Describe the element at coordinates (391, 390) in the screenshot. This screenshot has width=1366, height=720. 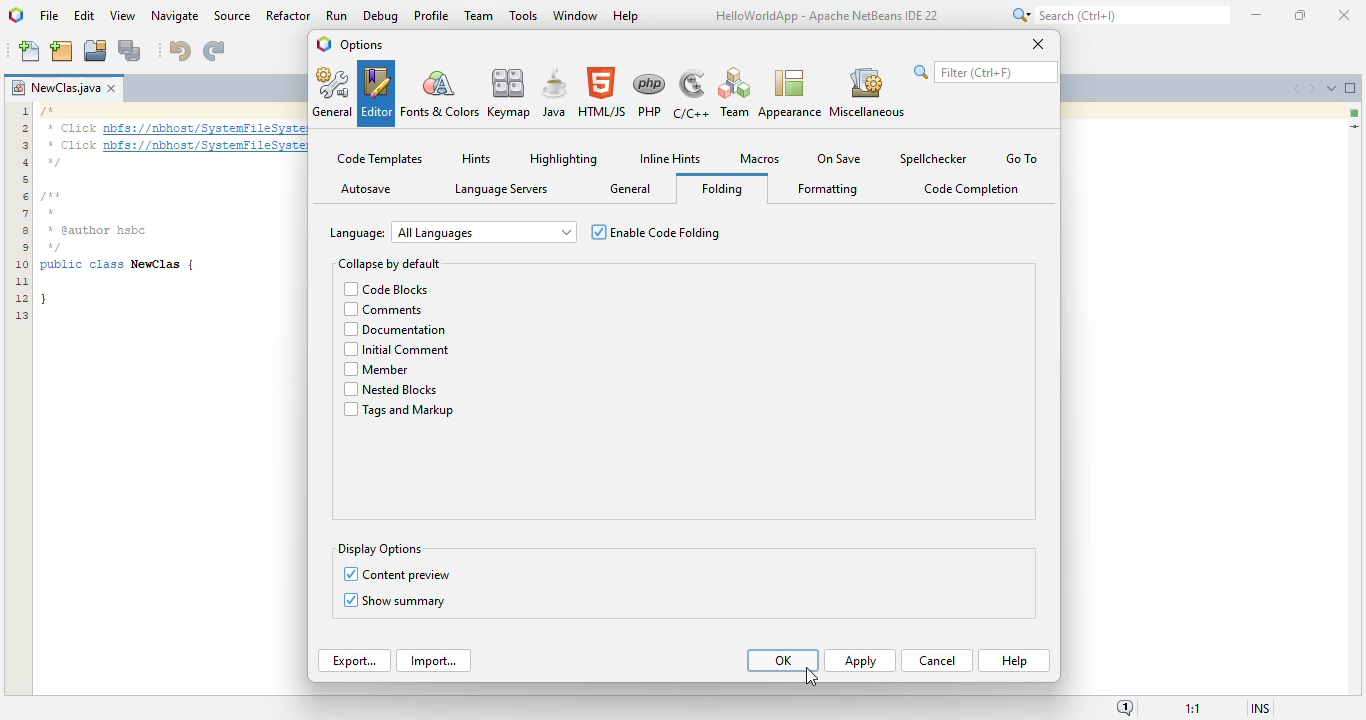
I see `nested blocks` at that location.